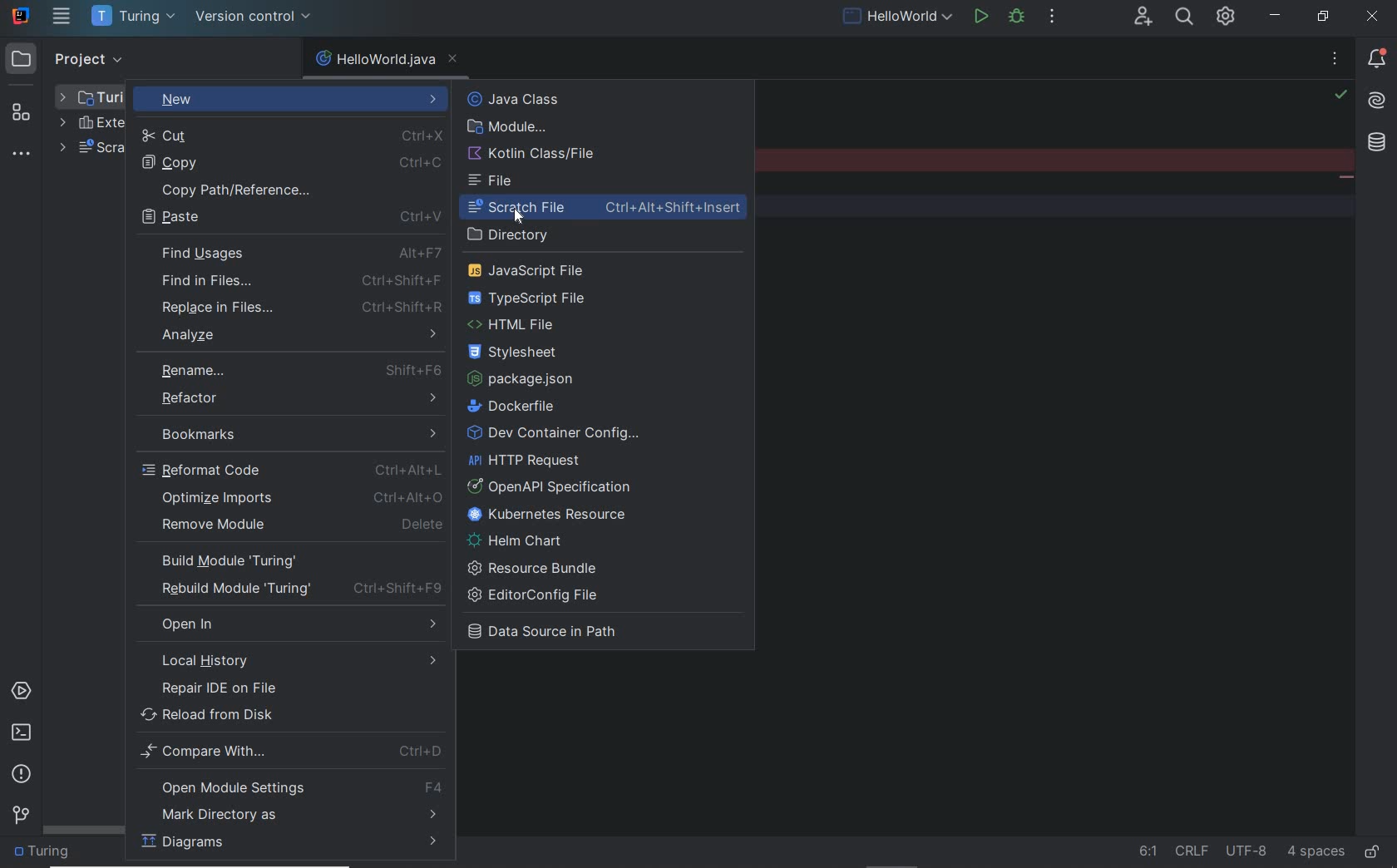  I want to click on rebuild module, so click(293, 589).